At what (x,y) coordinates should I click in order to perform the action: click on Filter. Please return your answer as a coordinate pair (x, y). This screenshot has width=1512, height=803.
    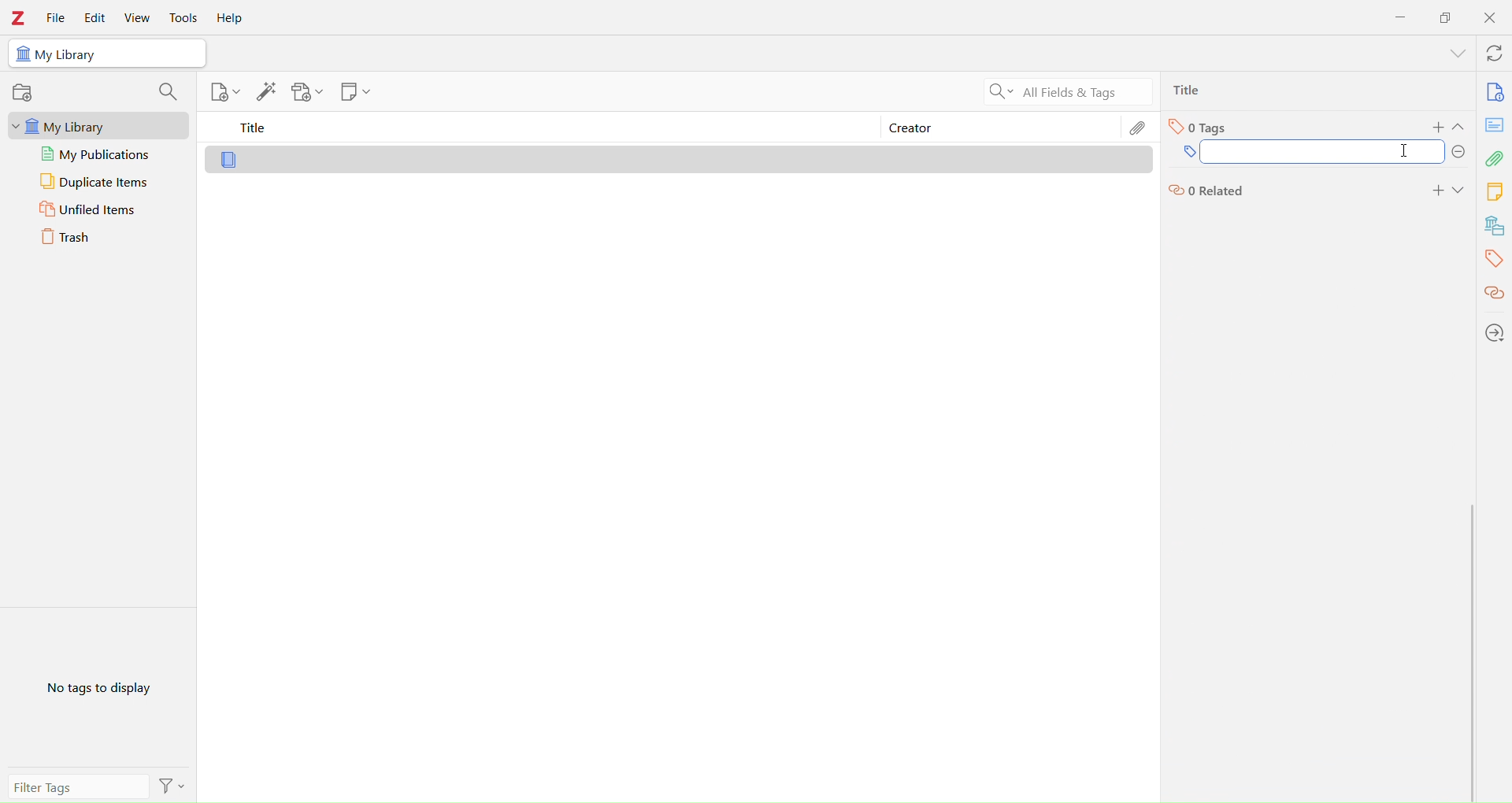
    Looking at the image, I should click on (173, 785).